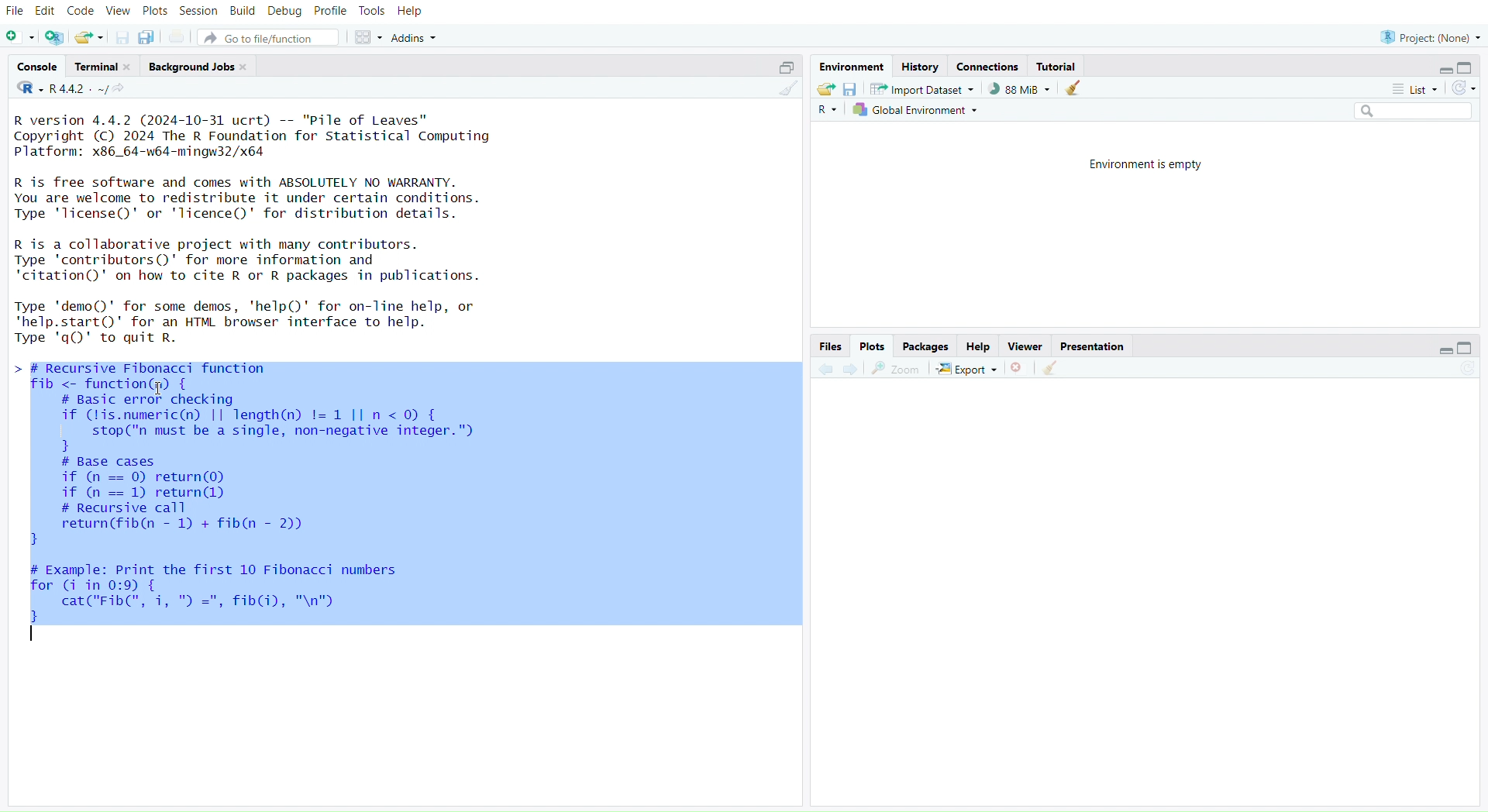 This screenshot has height=812, width=1488. What do you see at coordinates (917, 109) in the screenshot?
I see `global environment` at bounding box center [917, 109].